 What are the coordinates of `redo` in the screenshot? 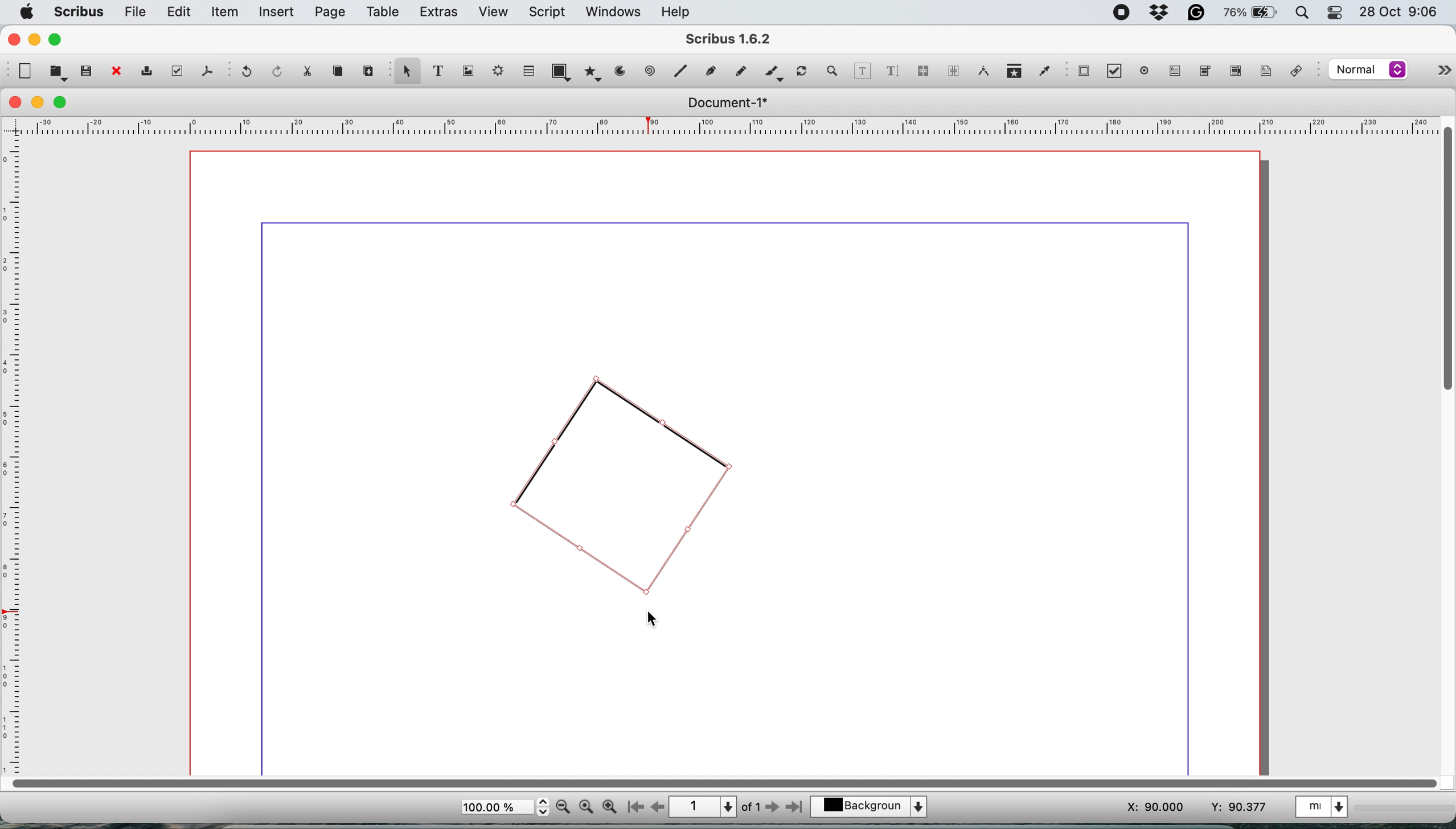 It's located at (279, 71).